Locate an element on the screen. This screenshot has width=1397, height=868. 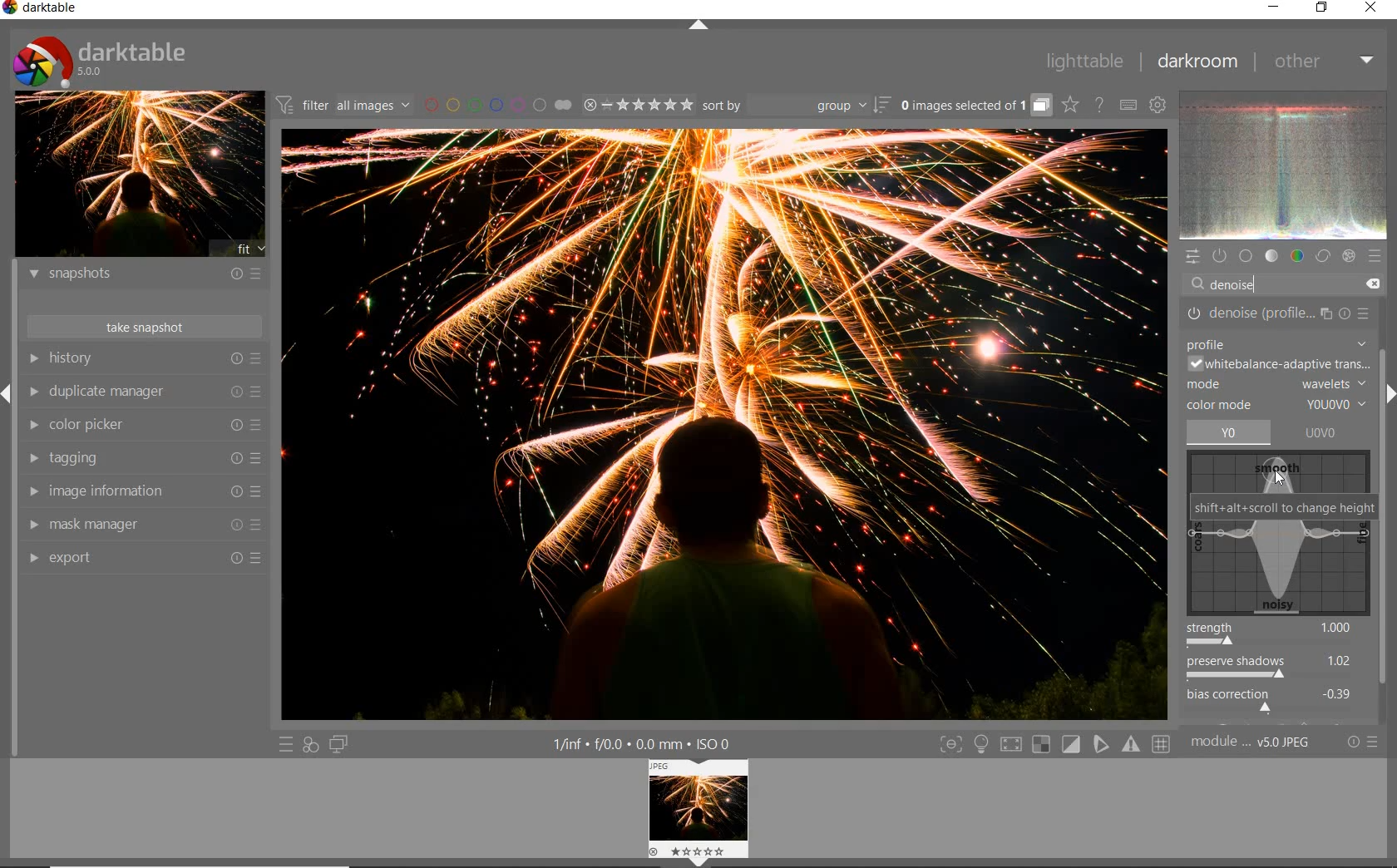
history is located at coordinates (146, 360).